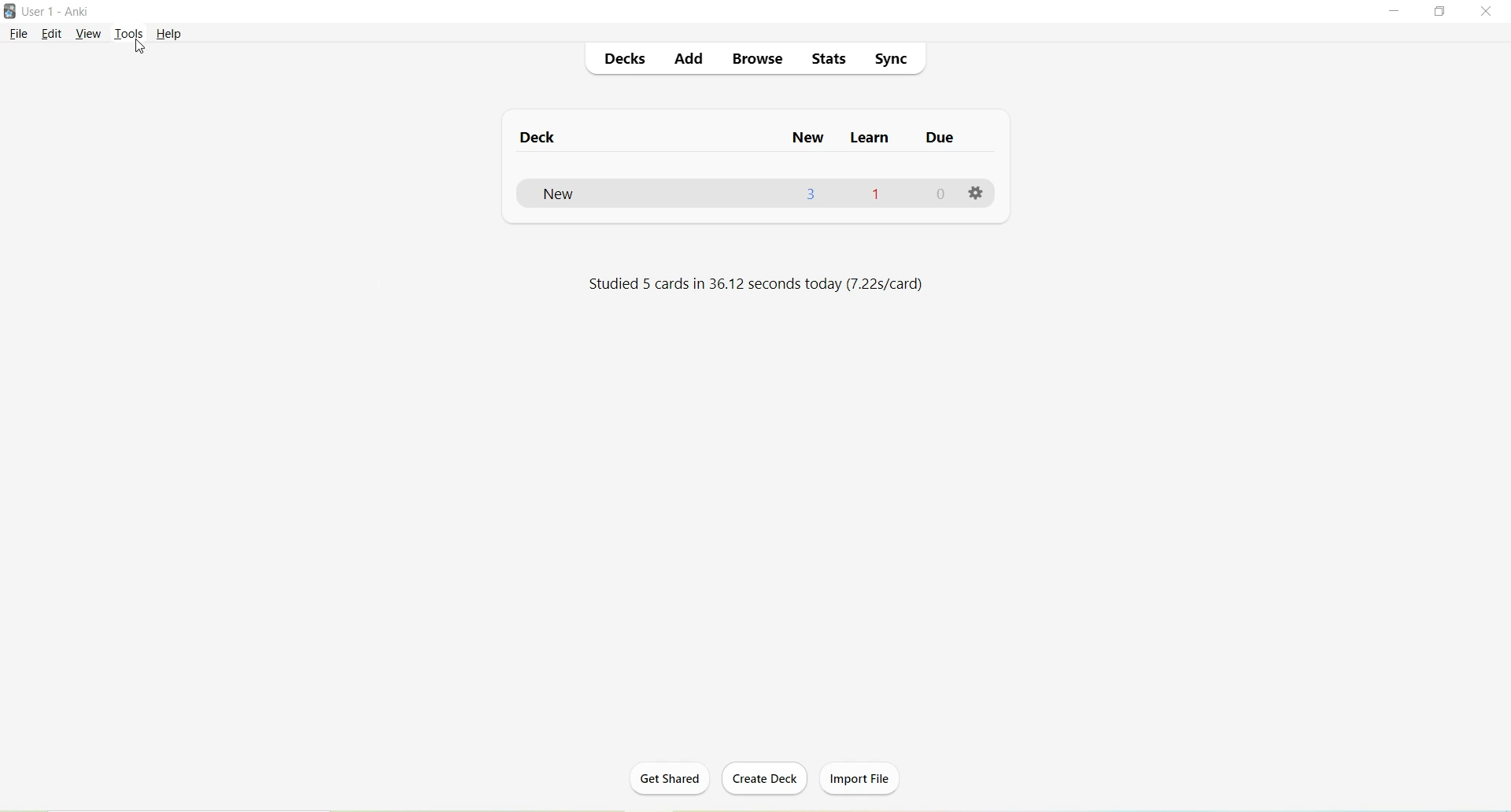 The image size is (1511, 812). What do you see at coordinates (834, 62) in the screenshot?
I see `Stats` at bounding box center [834, 62].